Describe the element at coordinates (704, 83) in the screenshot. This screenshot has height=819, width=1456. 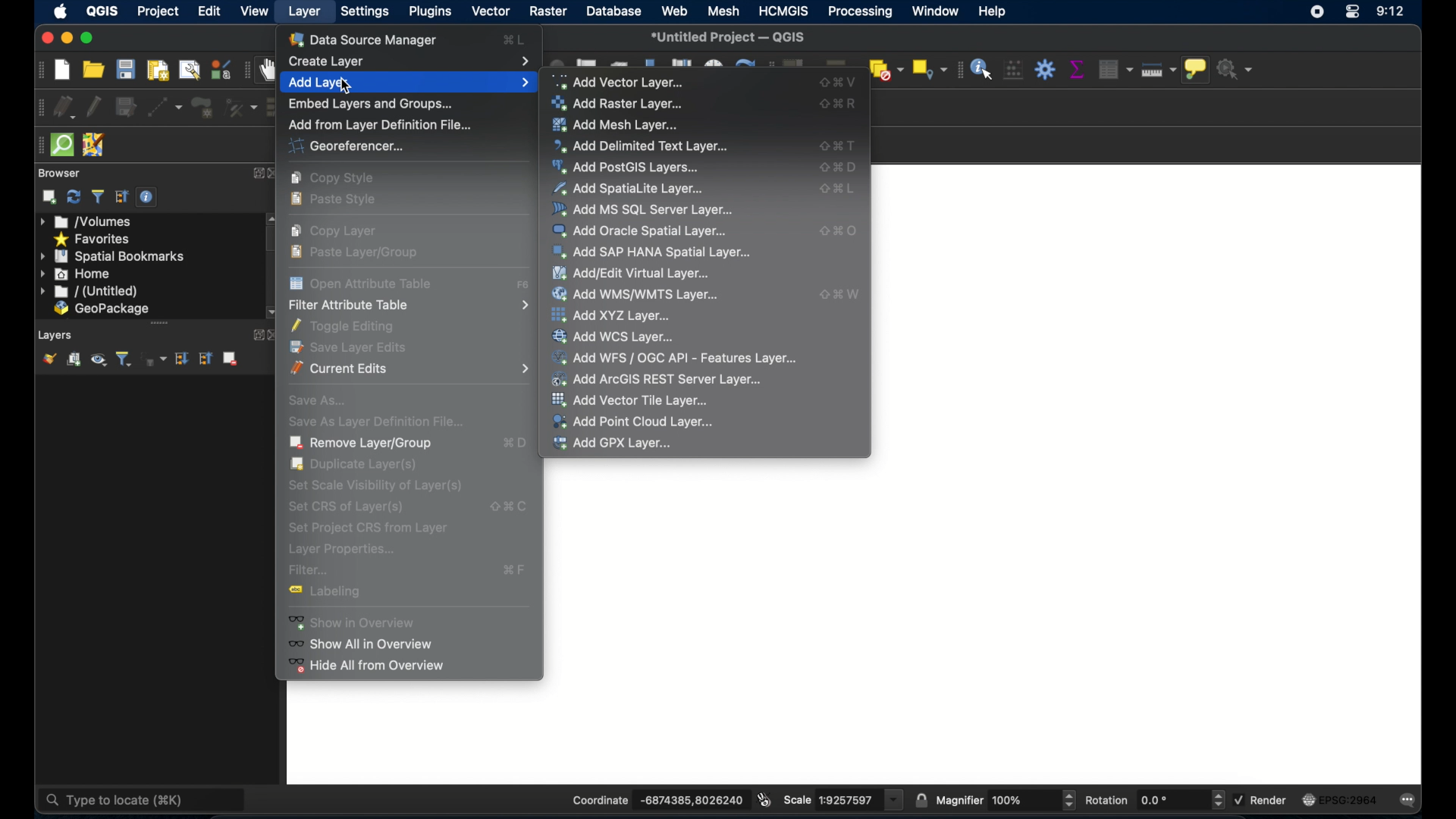
I see `Add vector layer...` at that location.